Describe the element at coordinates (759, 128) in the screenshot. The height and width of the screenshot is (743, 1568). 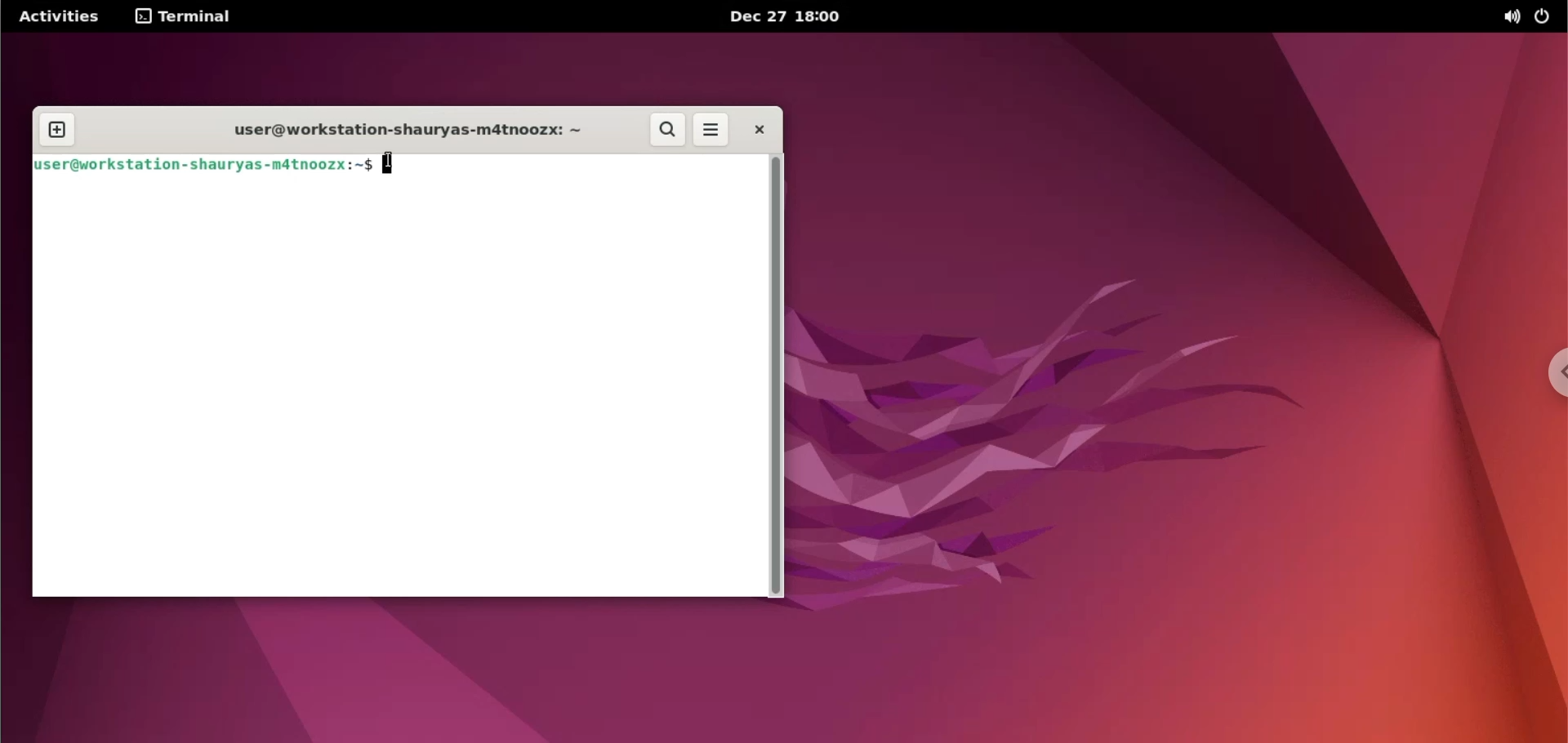
I see `close` at that location.